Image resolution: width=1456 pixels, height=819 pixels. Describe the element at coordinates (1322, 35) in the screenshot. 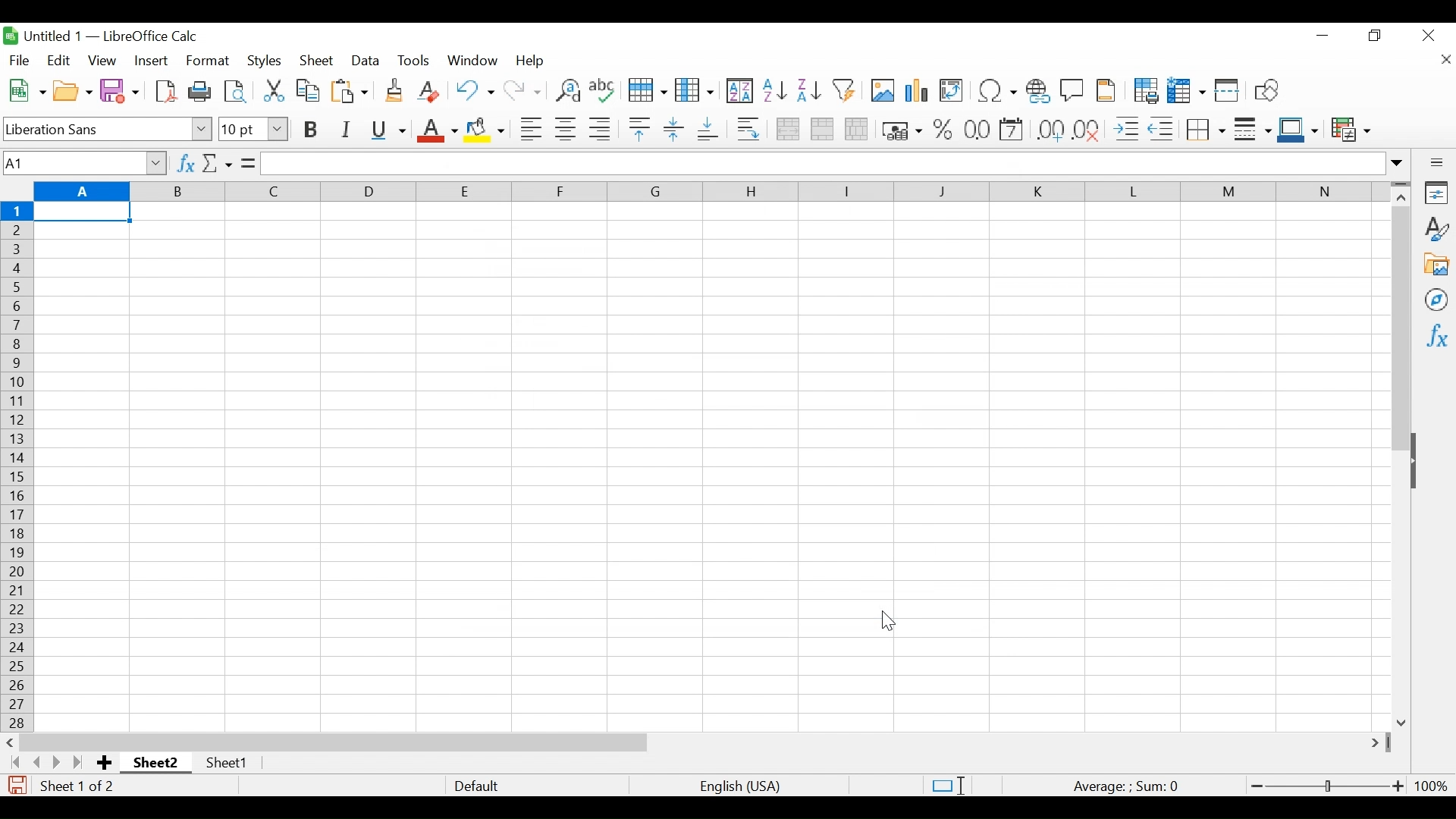

I see `minimize` at that location.